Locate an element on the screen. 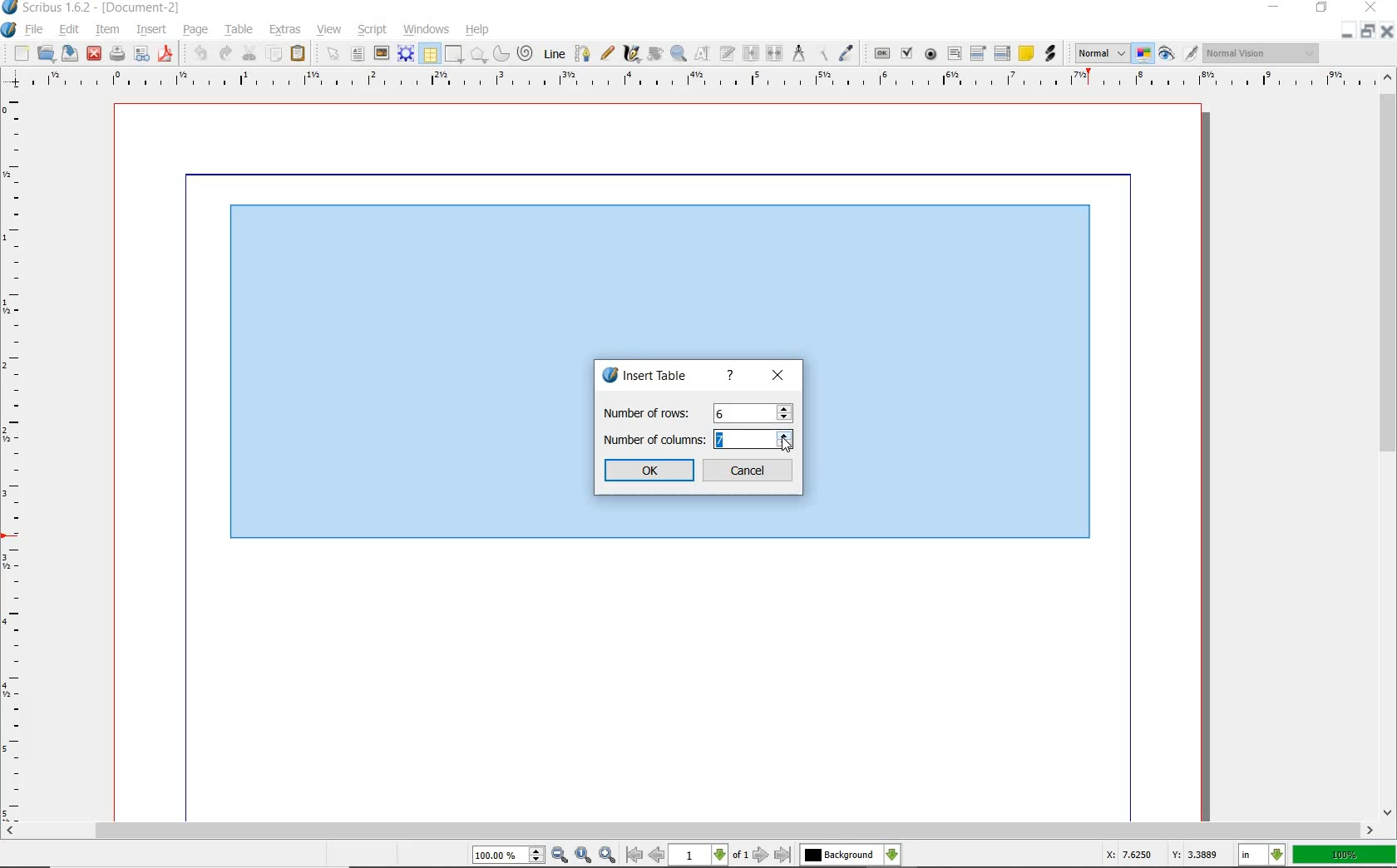 This screenshot has width=1397, height=868. go to previous page is located at coordinates (658, 856).